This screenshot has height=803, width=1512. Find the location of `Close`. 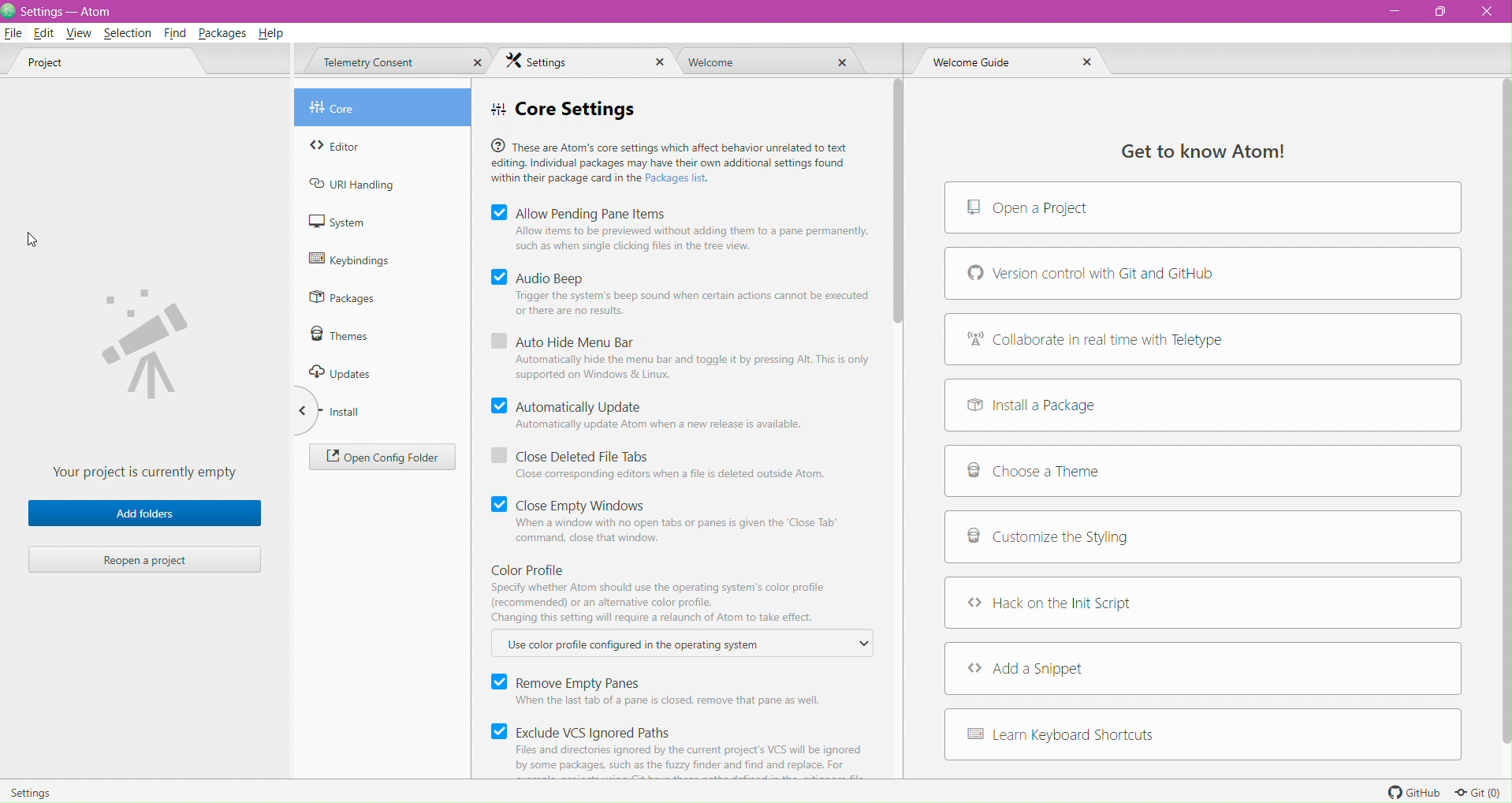

Close is located at coordinates (1086, 65).